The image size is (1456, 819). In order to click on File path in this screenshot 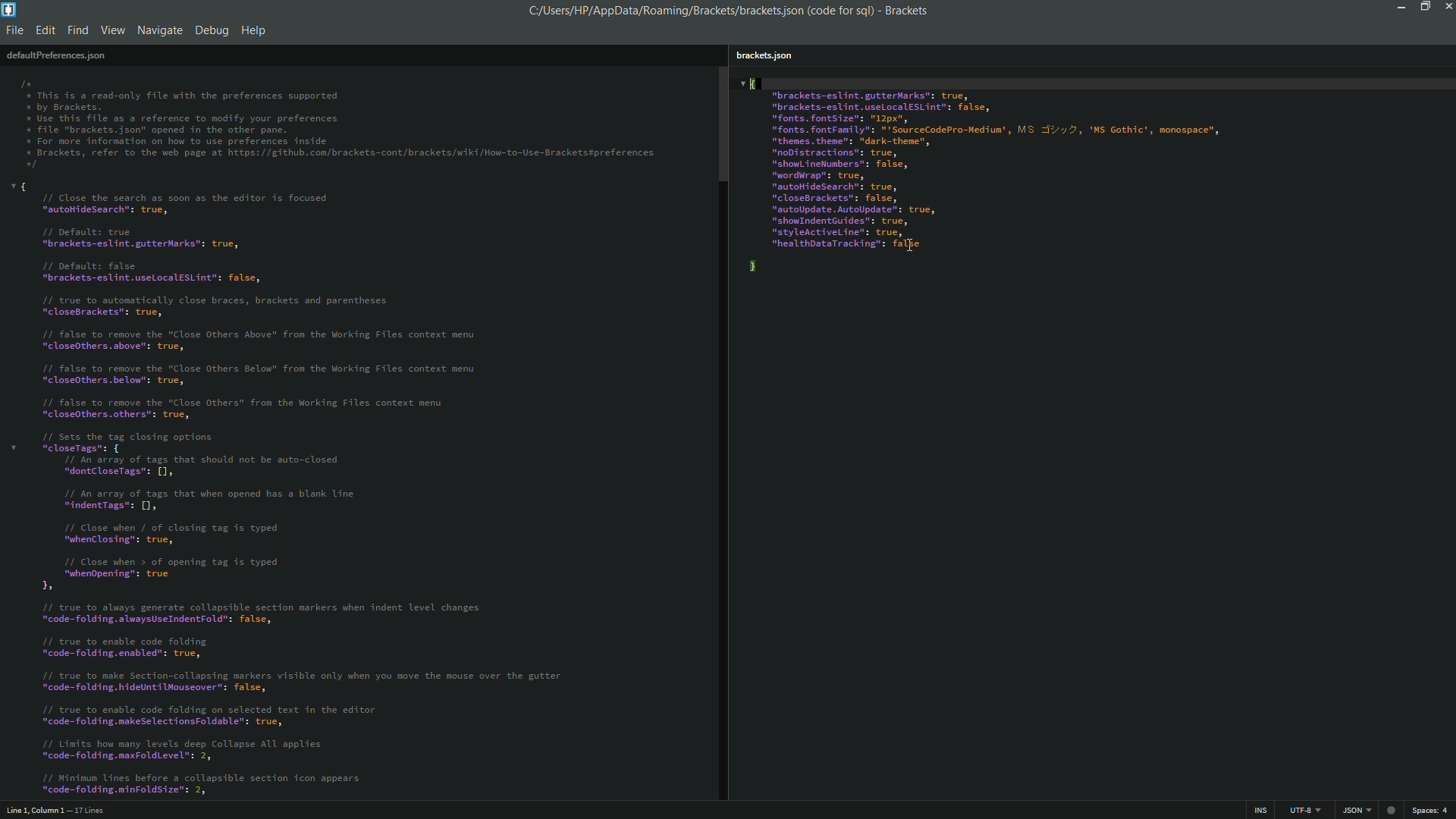, I will do `click(697, 10)`.